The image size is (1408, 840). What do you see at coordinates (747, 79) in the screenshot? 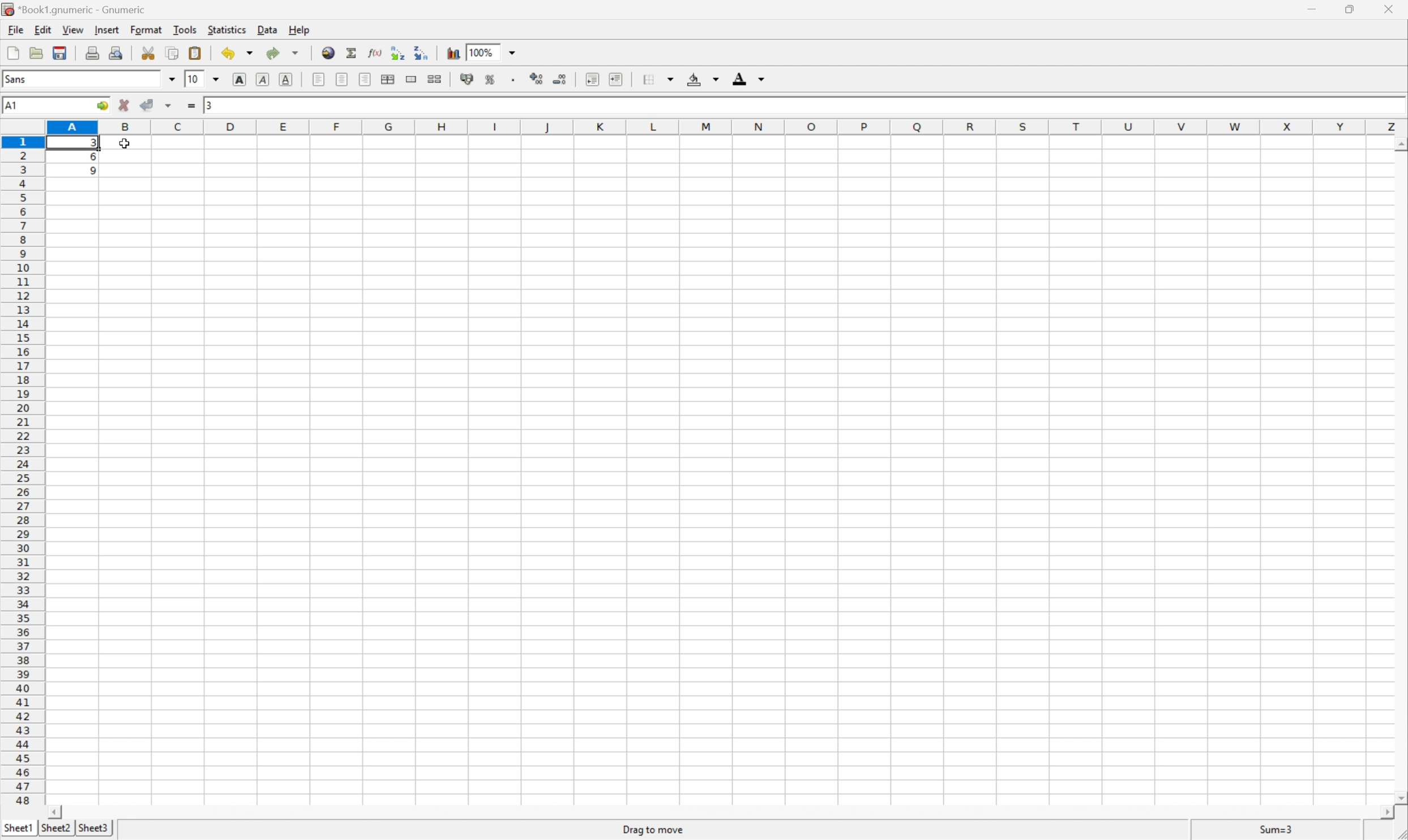
I see `Foreground` at bounding box center [747, 79].